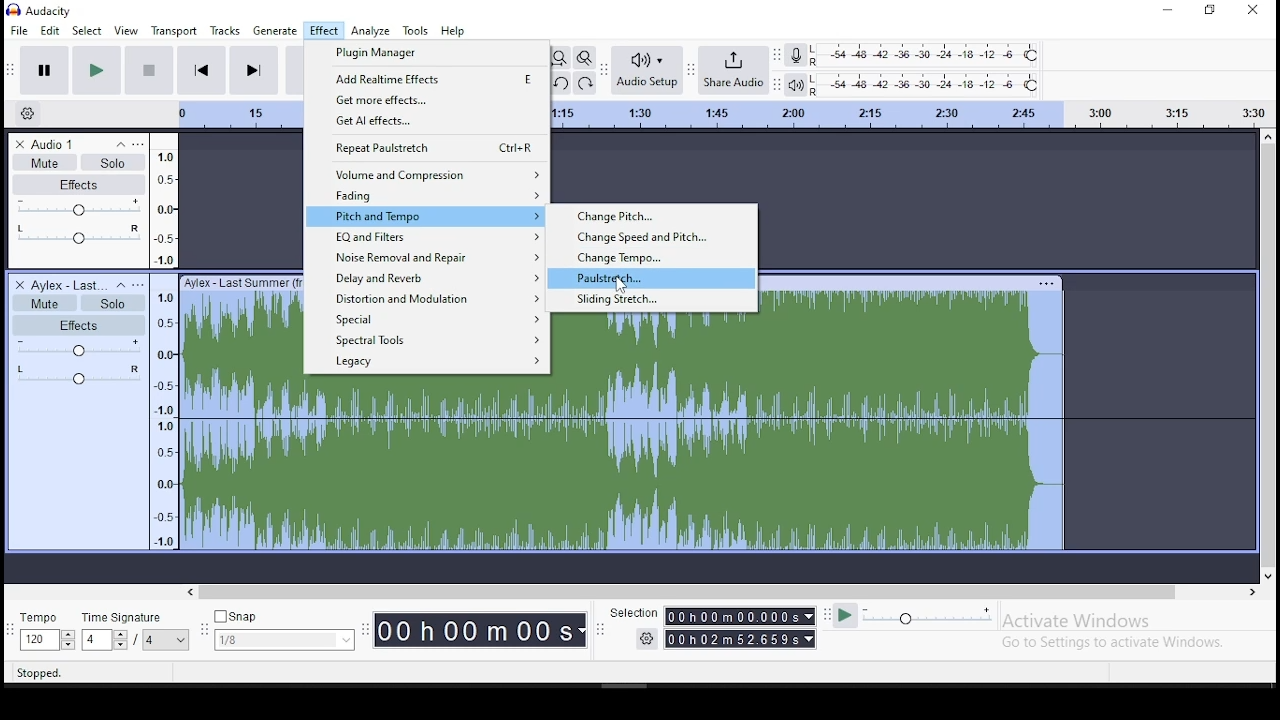 The image size is (1280, 720). Describe the element at coordinates (116, 163) in the screenshot. I see `solo` at that location.